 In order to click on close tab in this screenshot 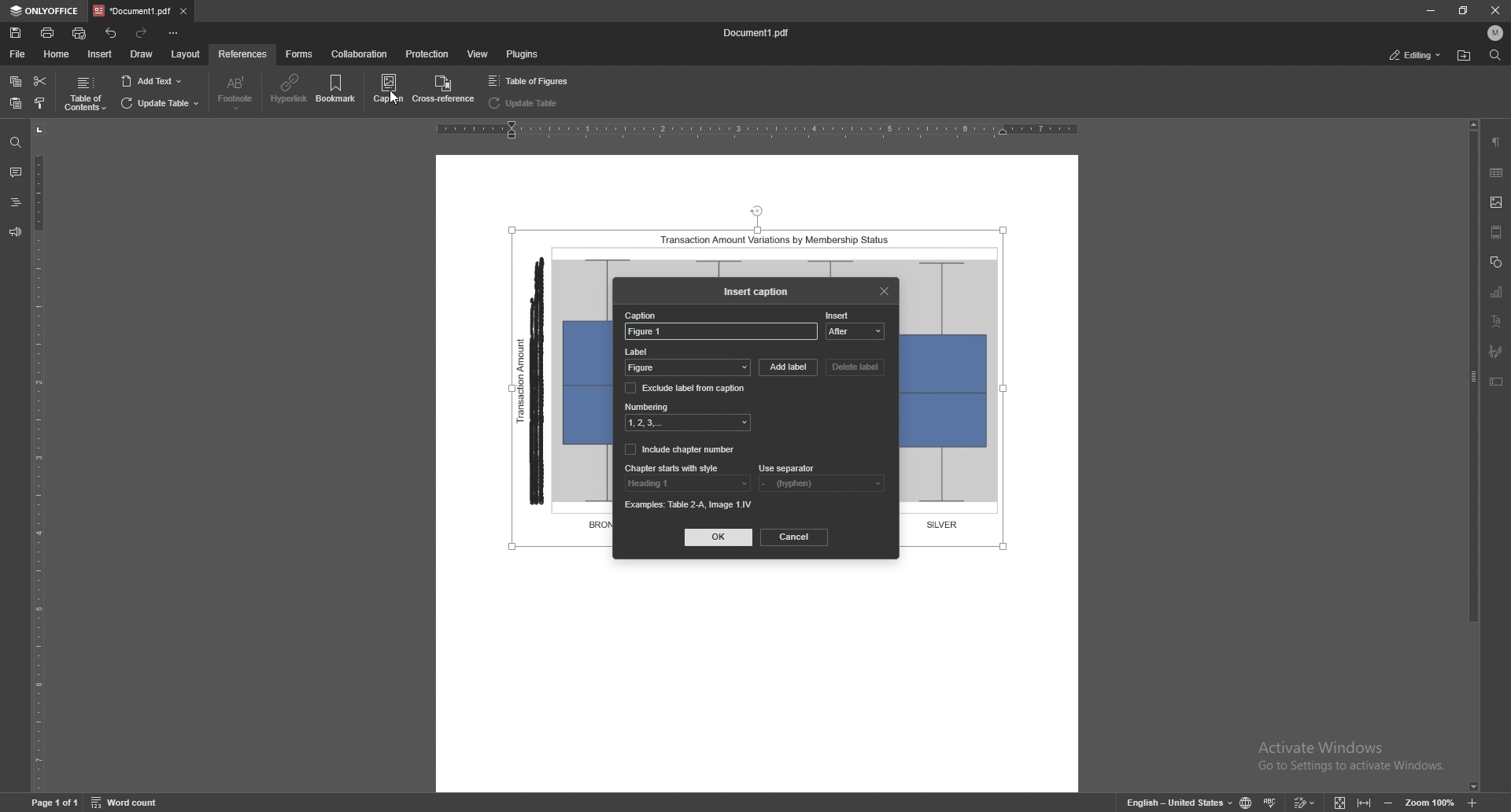, I will do `click(183, 12)`.